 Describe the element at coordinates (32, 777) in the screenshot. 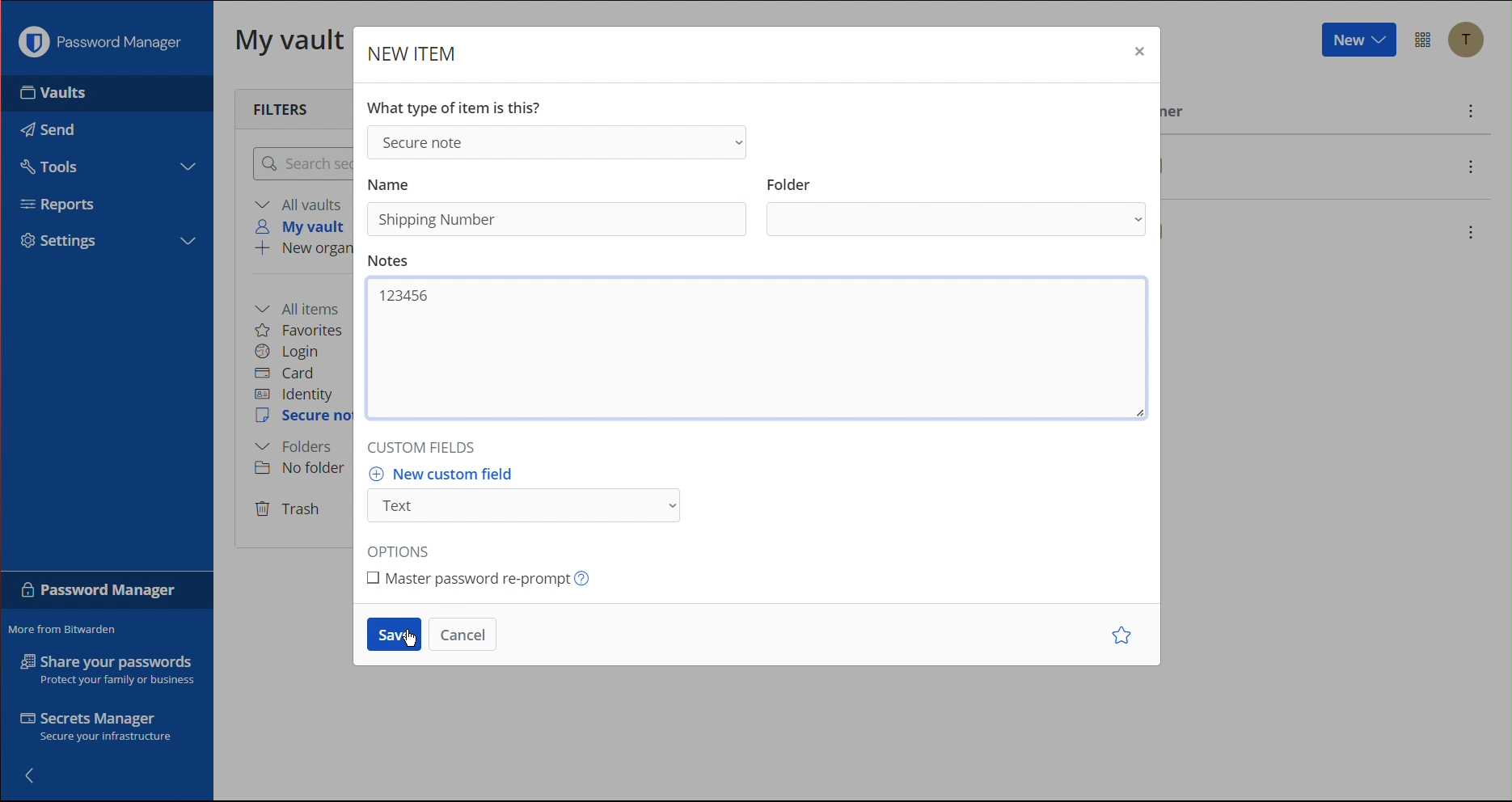

I see `back` at that location.